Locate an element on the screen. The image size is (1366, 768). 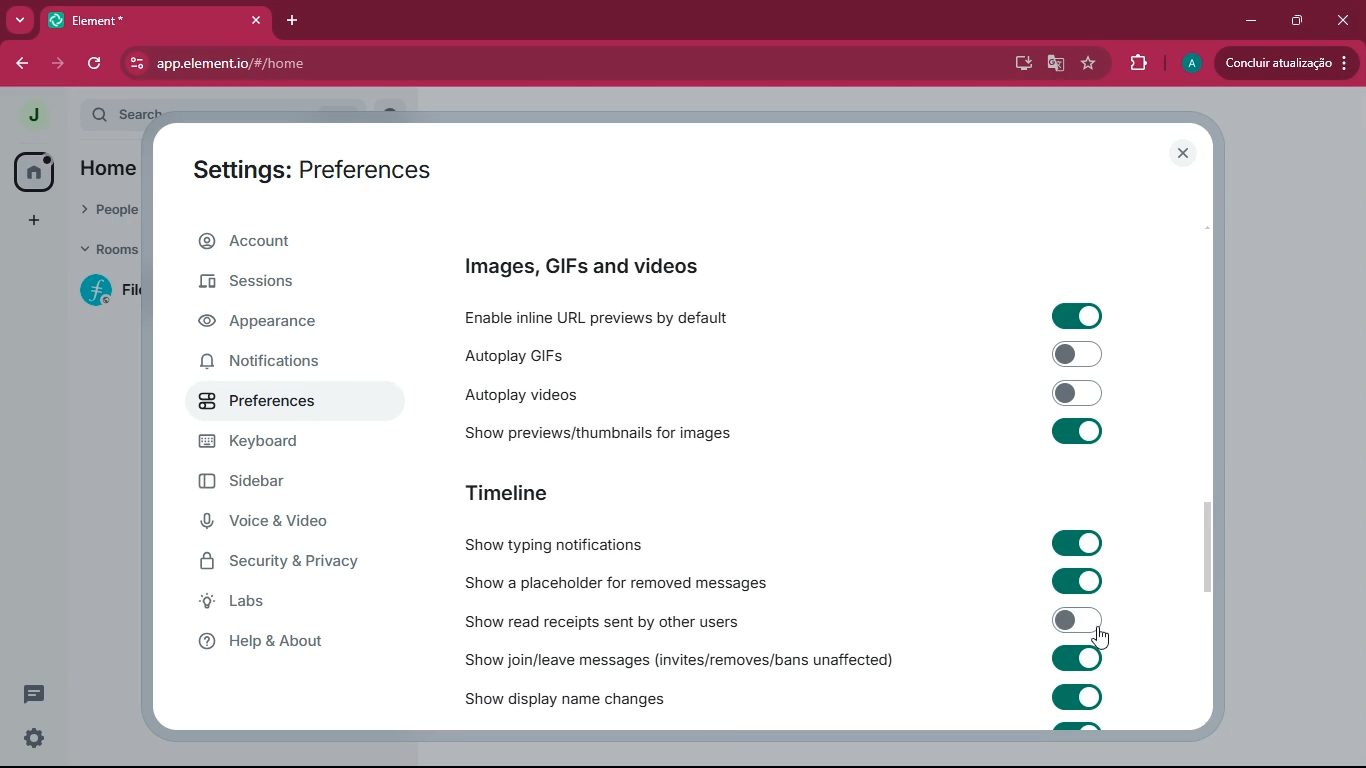
settings: preferences is located at coordinates (309, 171).